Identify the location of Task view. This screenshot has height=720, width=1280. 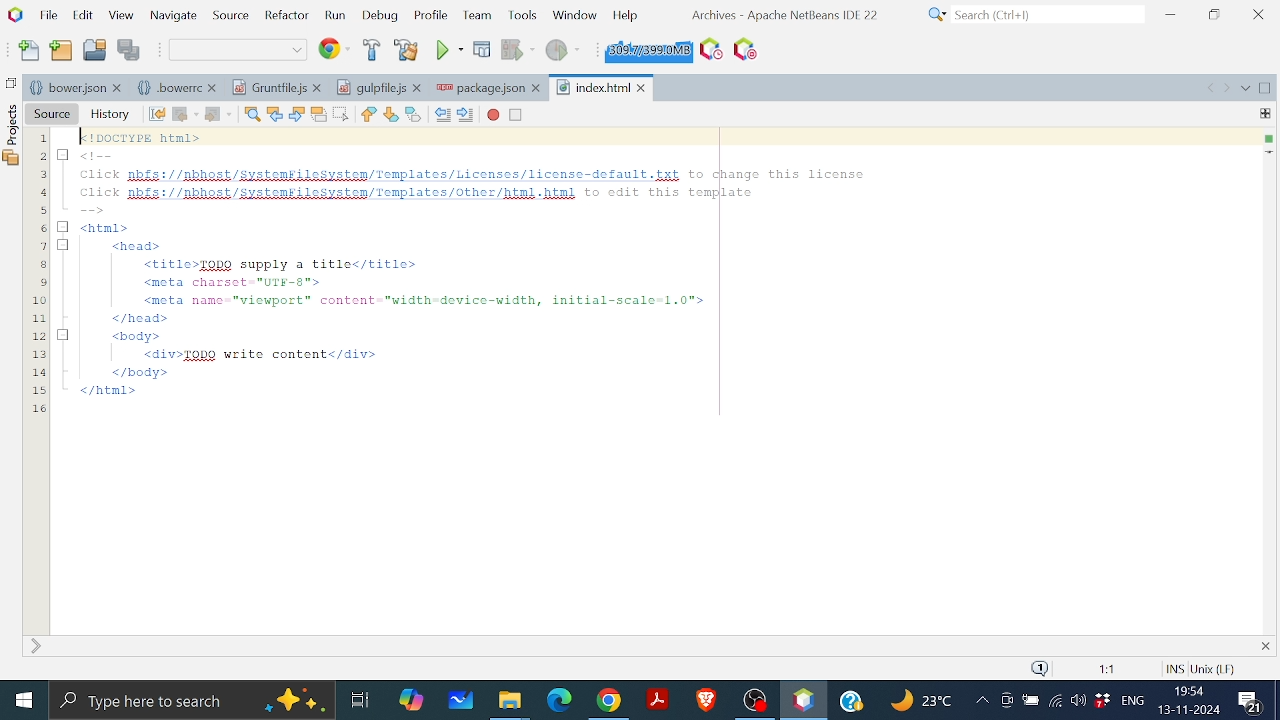
(359, 697).